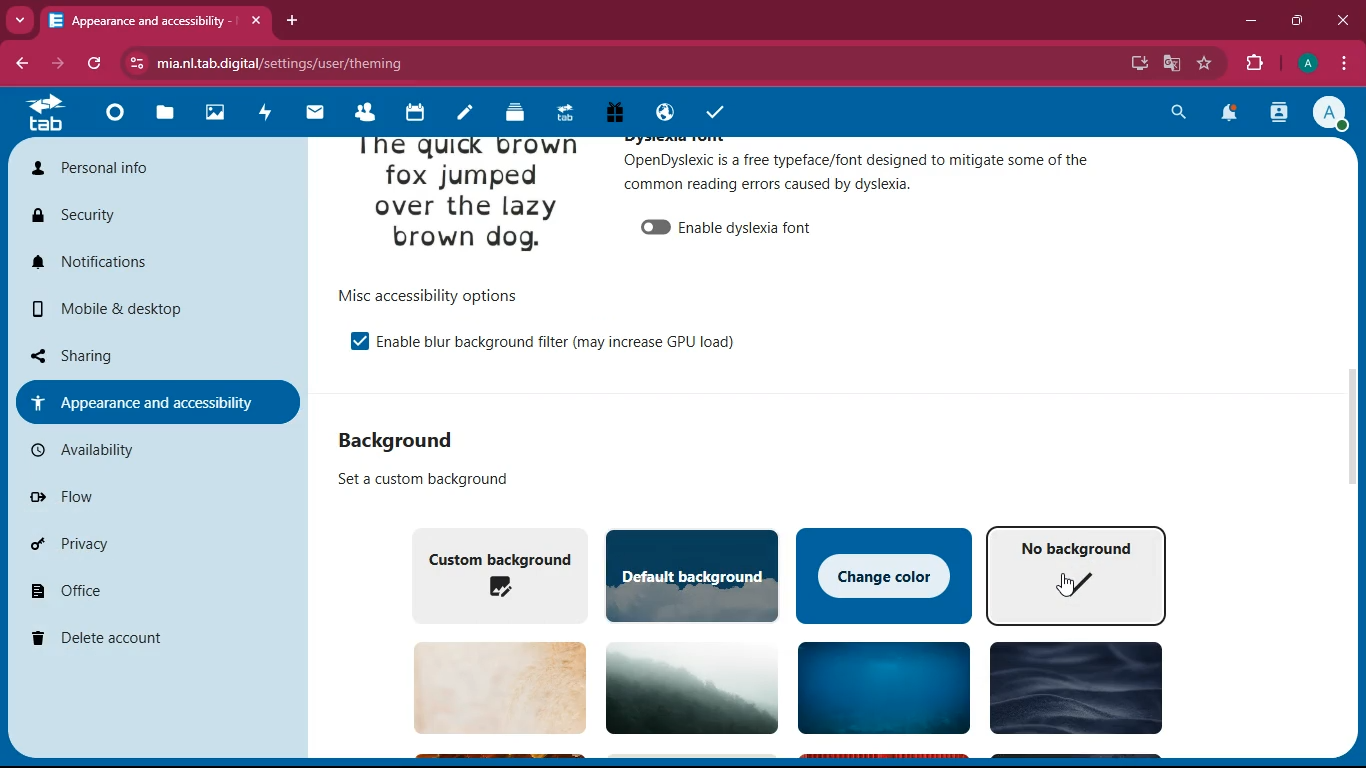  What do you see at coordinates (1251, 21) in the screenshot?
I see `minimize` at bounding box center [1251, 21].